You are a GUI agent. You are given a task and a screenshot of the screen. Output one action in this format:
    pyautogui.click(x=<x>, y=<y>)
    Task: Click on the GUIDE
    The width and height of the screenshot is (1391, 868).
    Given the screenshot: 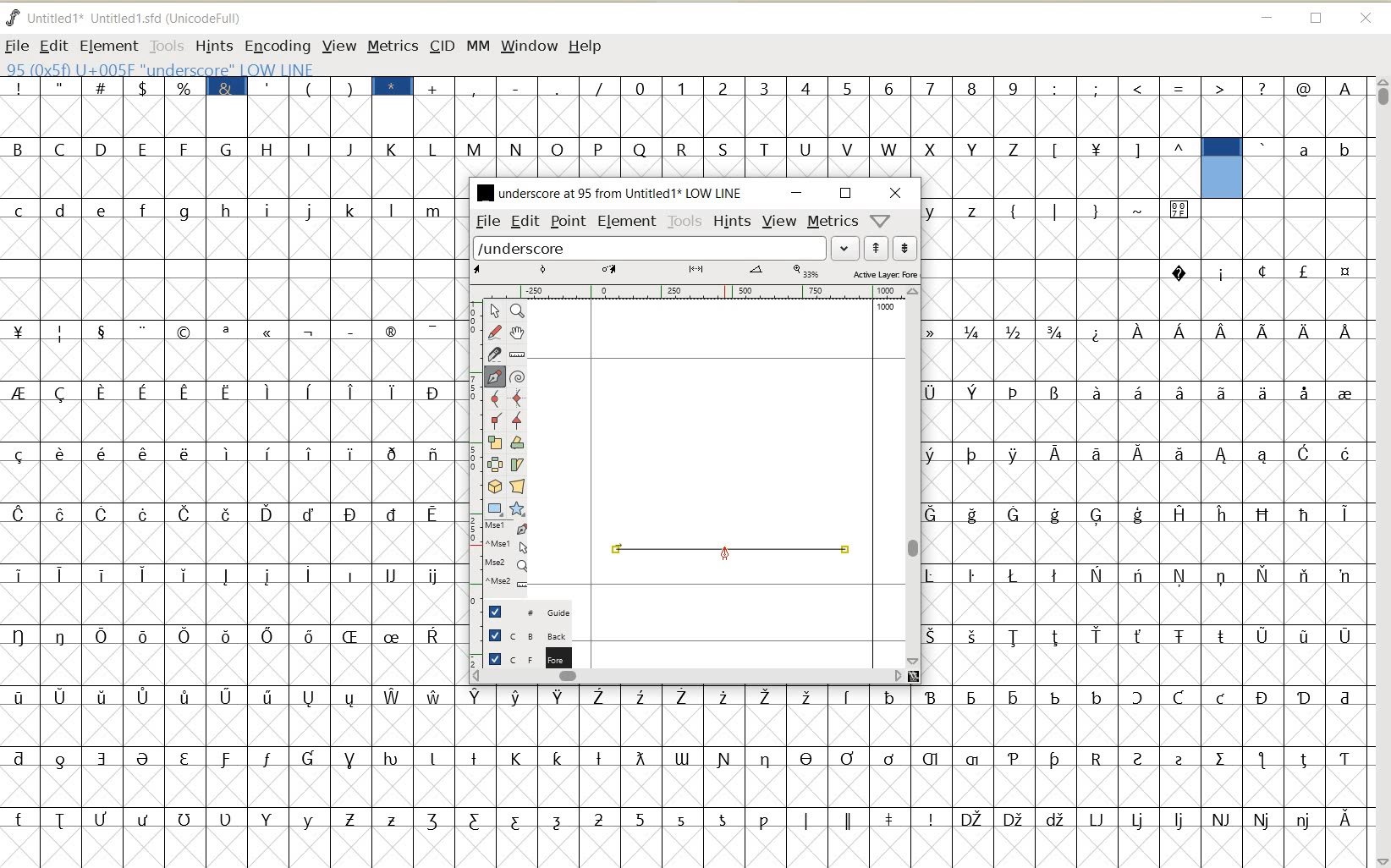 What is the action you would take?
    pyautogui.click(x=525, y=610)
    